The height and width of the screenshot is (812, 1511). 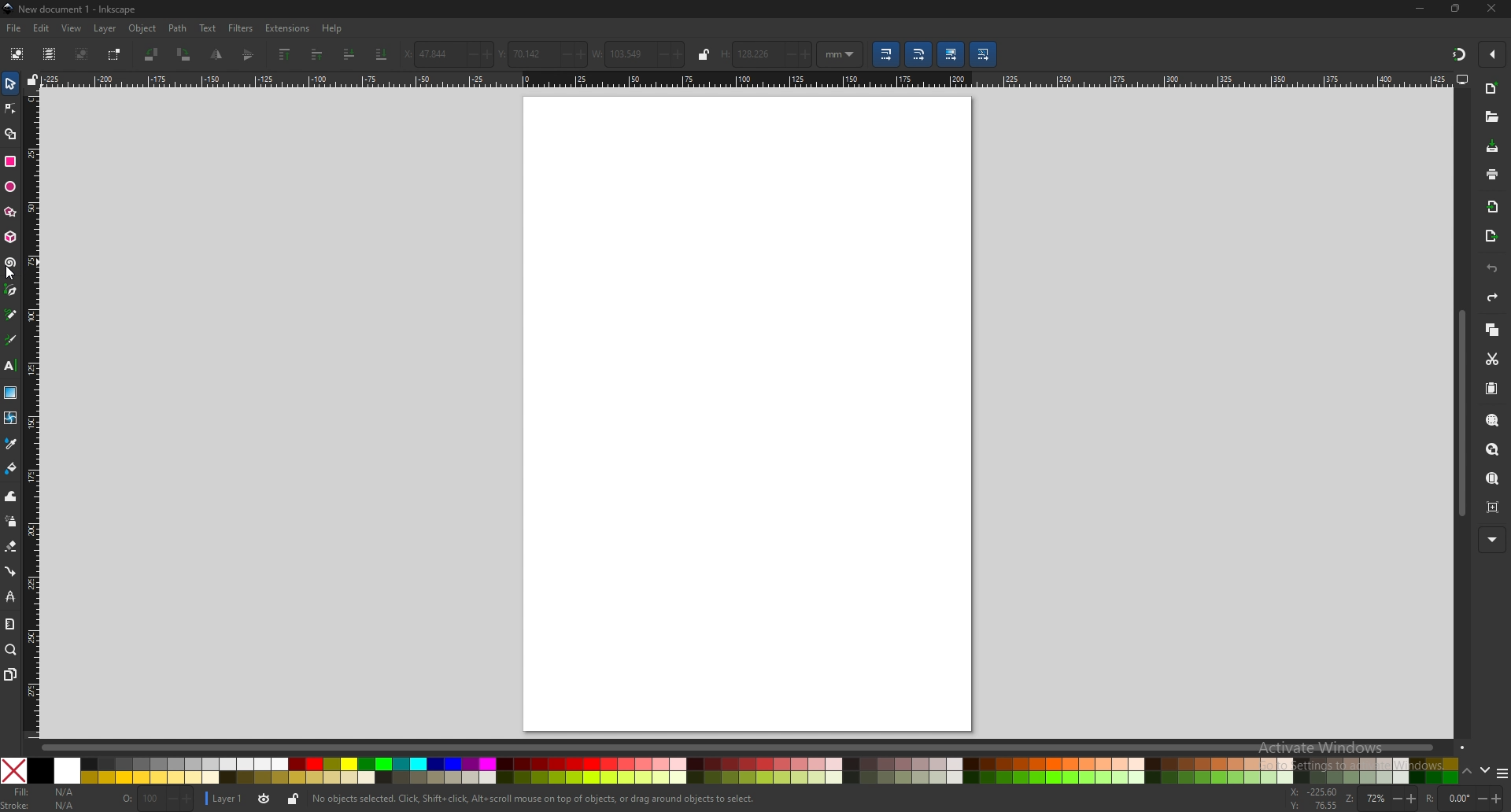 I want to click on cursor, so click(x=14, y=275).